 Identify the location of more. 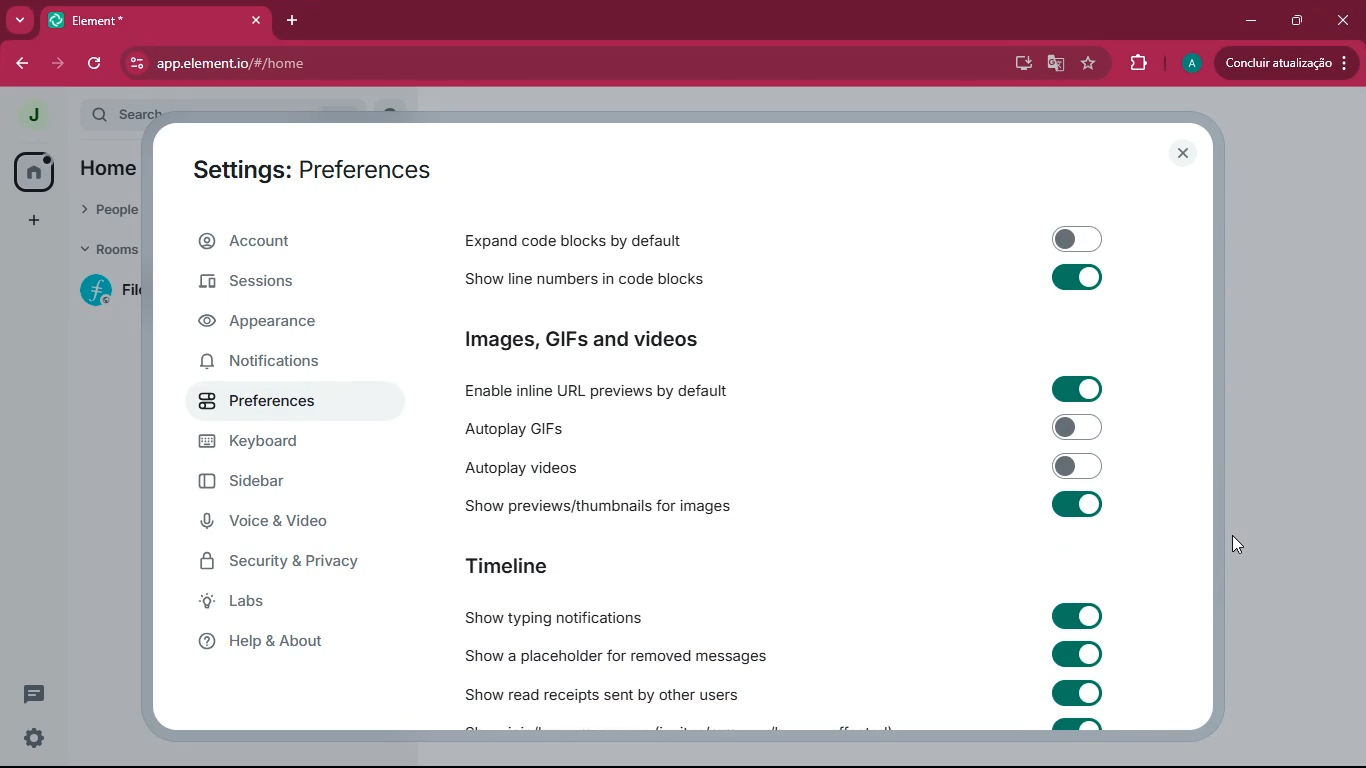
(18, 20).